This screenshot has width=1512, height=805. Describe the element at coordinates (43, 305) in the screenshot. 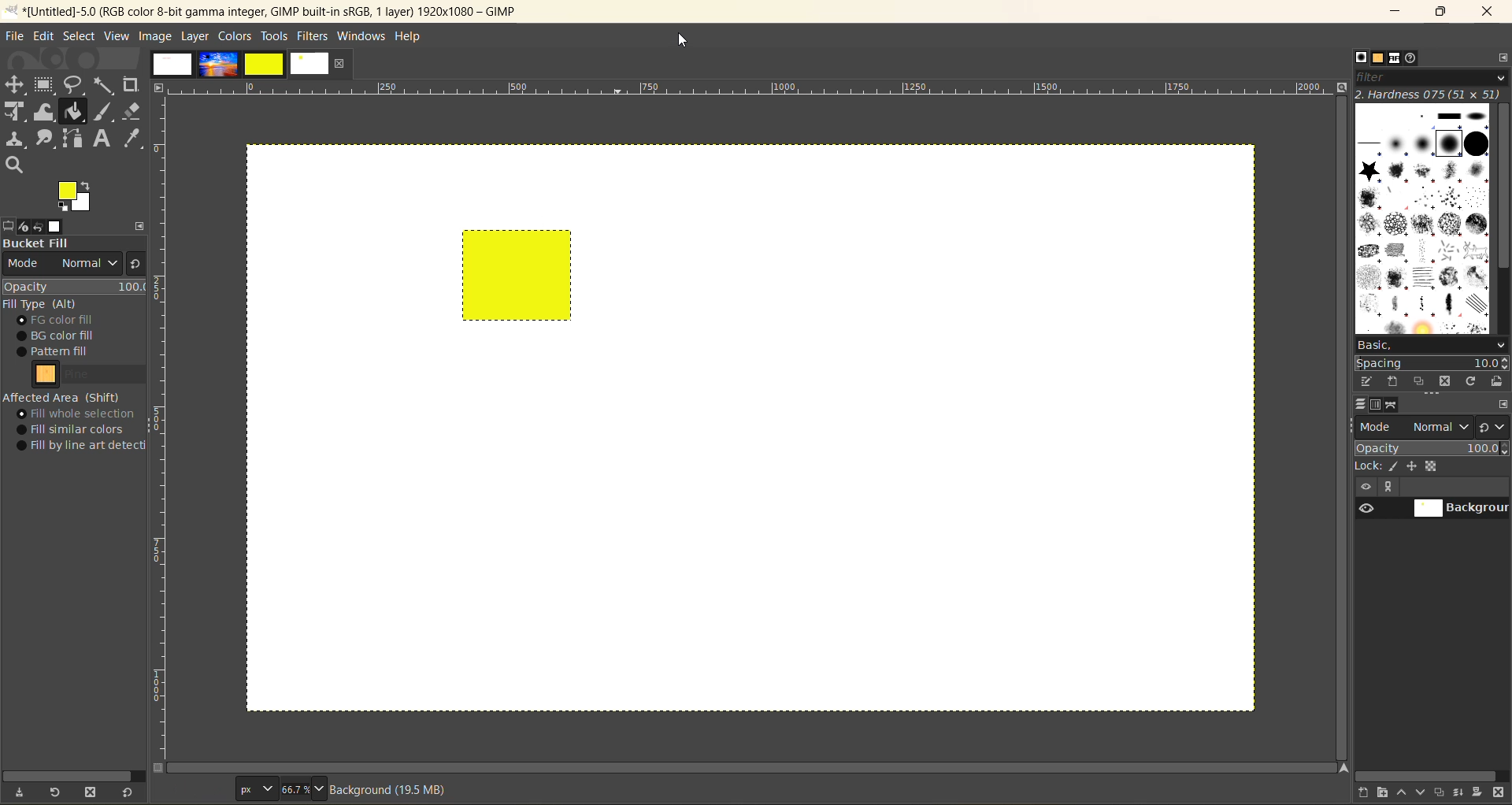

I see `fill type` at that location.